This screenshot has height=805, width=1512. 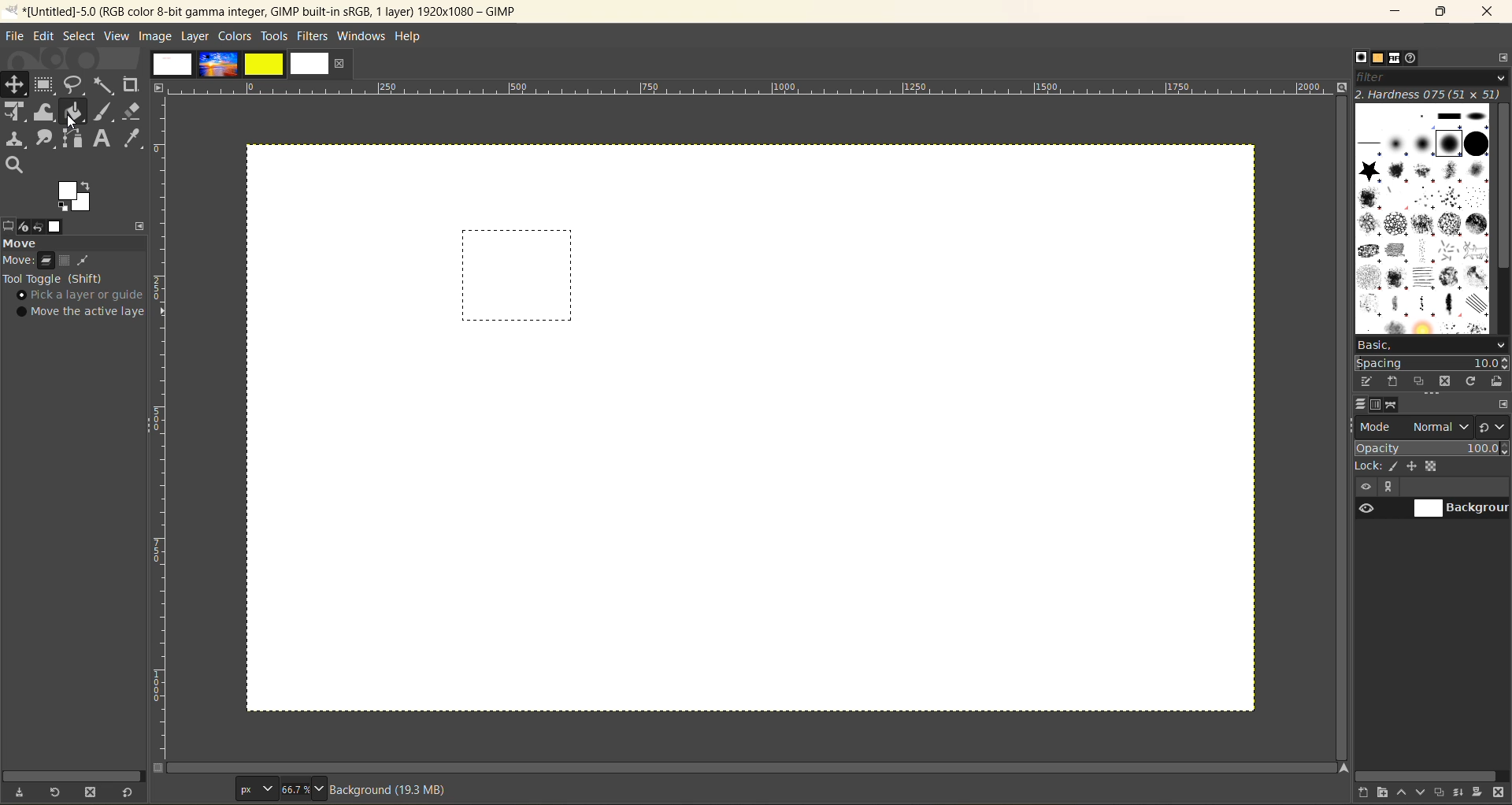 What do you see at coordinates (1478, 793) in the screenshot?
I see `add a mask` at bounding box center [1478, 793].